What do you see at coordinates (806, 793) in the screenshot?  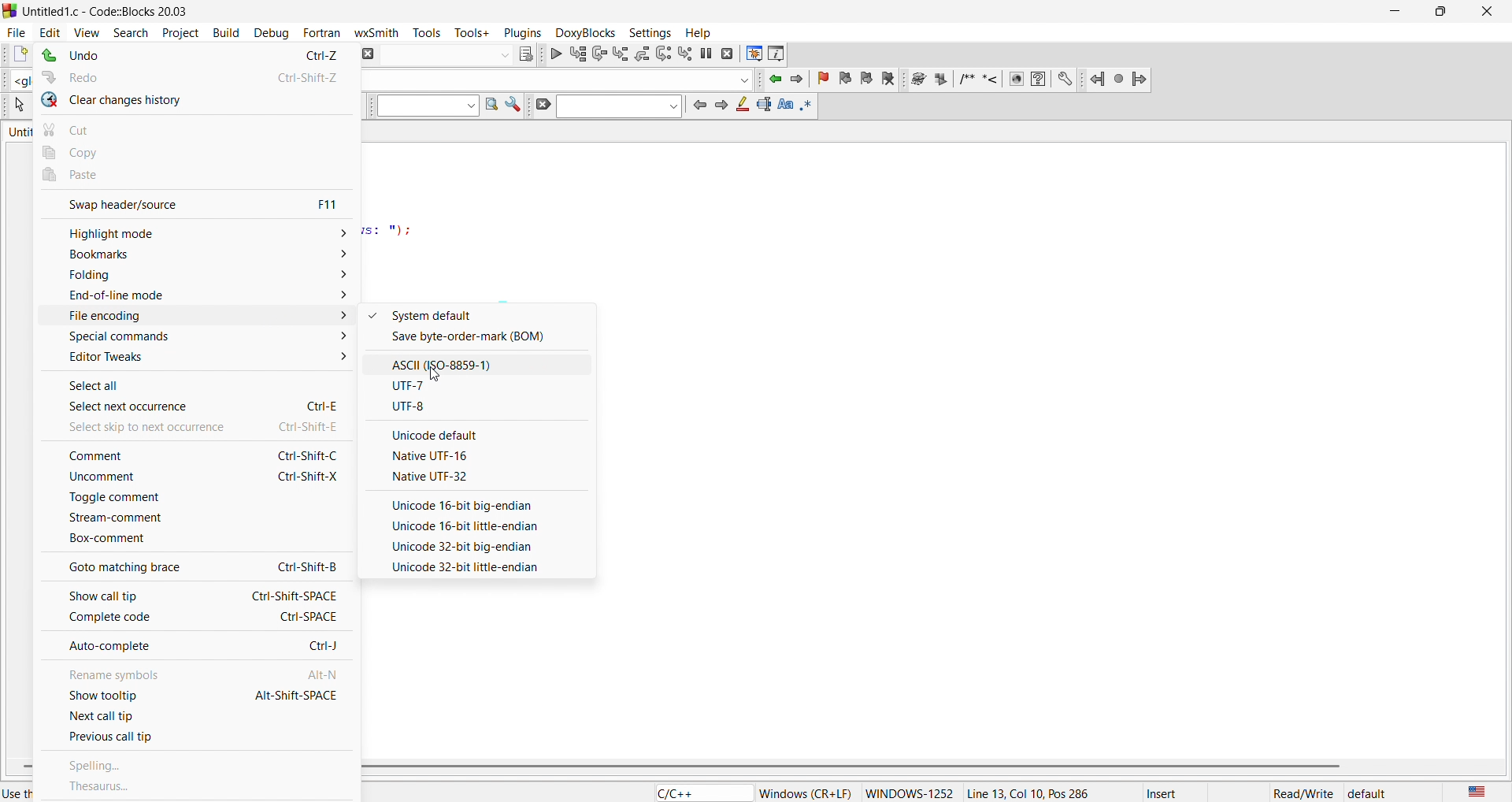 I see `Windows (CR+LF)` at bounding box center [806, 793].